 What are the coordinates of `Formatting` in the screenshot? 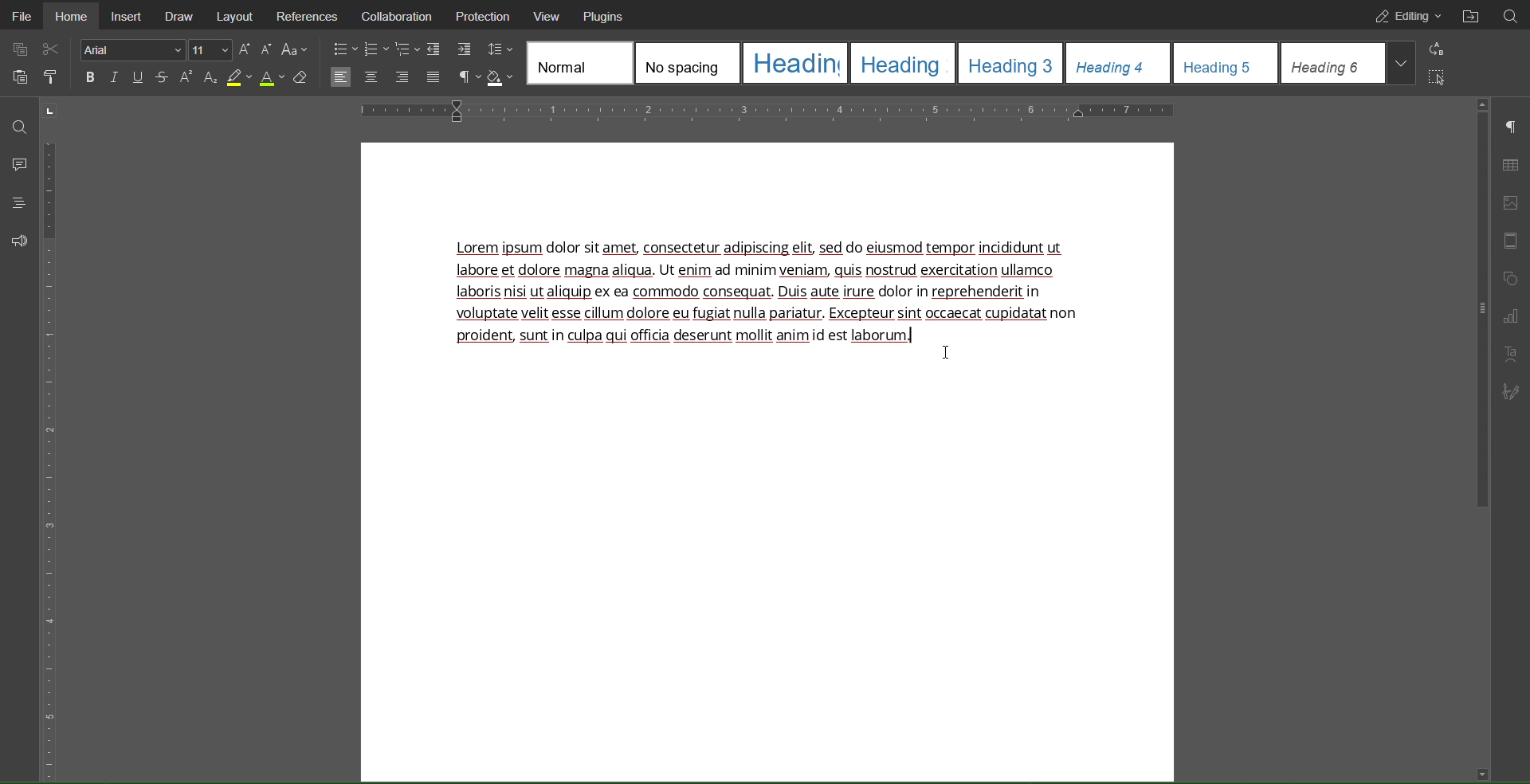 It's located at (210, 80).